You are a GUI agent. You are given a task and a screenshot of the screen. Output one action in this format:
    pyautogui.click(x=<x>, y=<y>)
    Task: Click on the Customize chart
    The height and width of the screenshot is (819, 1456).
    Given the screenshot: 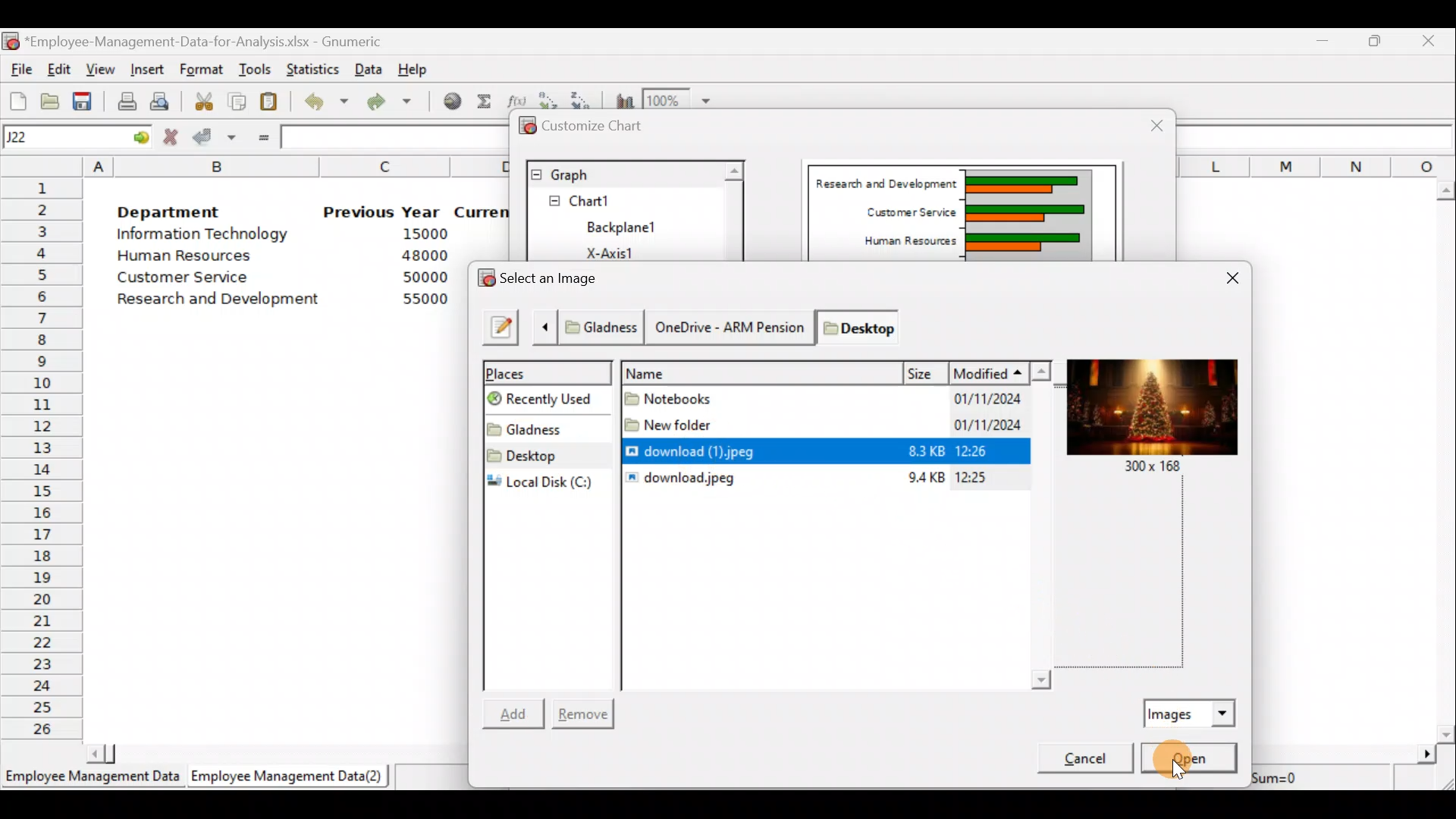 What is the action you would take?
    pyautogui.click(x=591, y=127)
    